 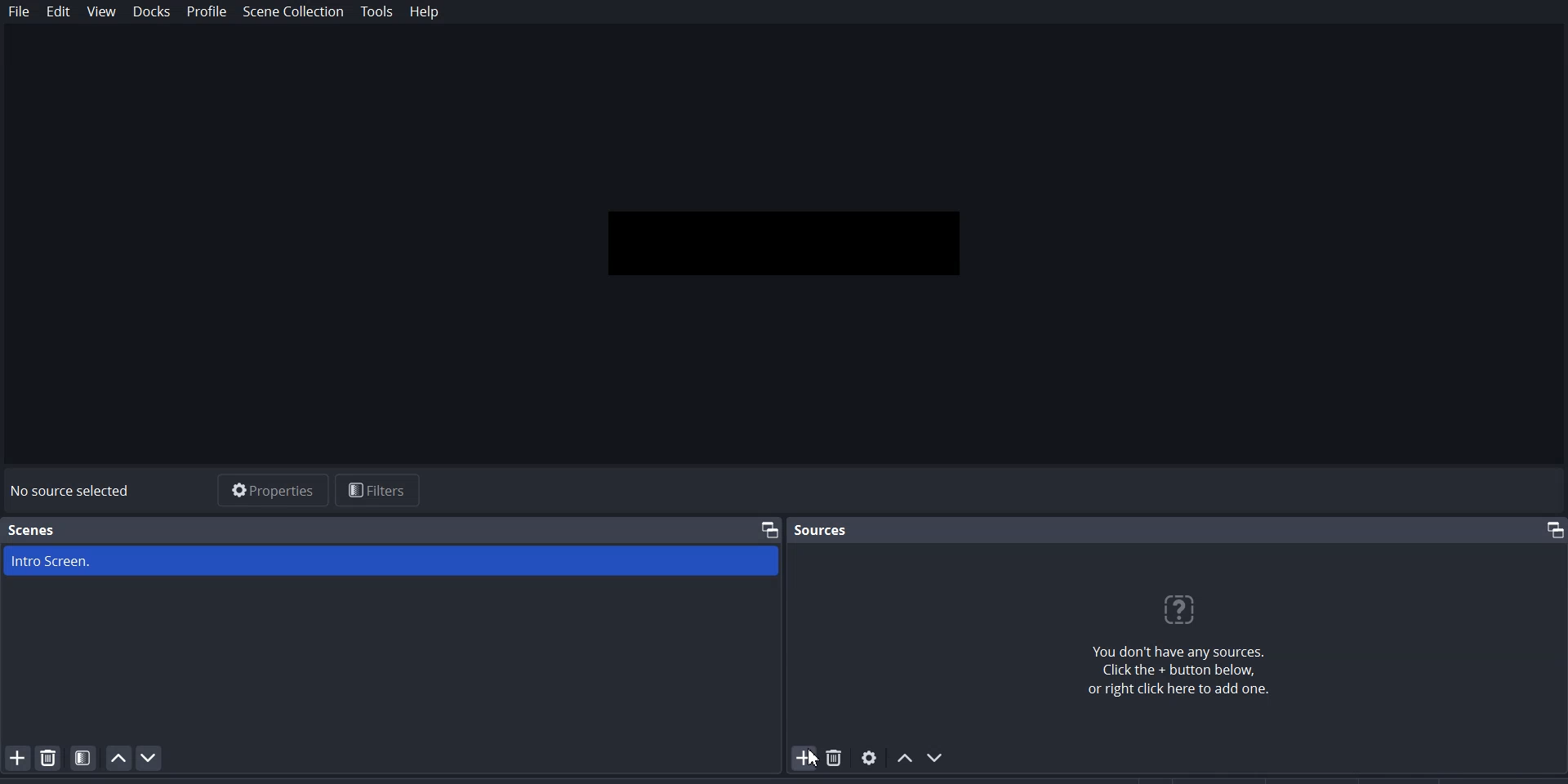 What do you see at coordinates (293, 12) in the screenshot?
I see `Scene collection` at bounding box center [293, 12].